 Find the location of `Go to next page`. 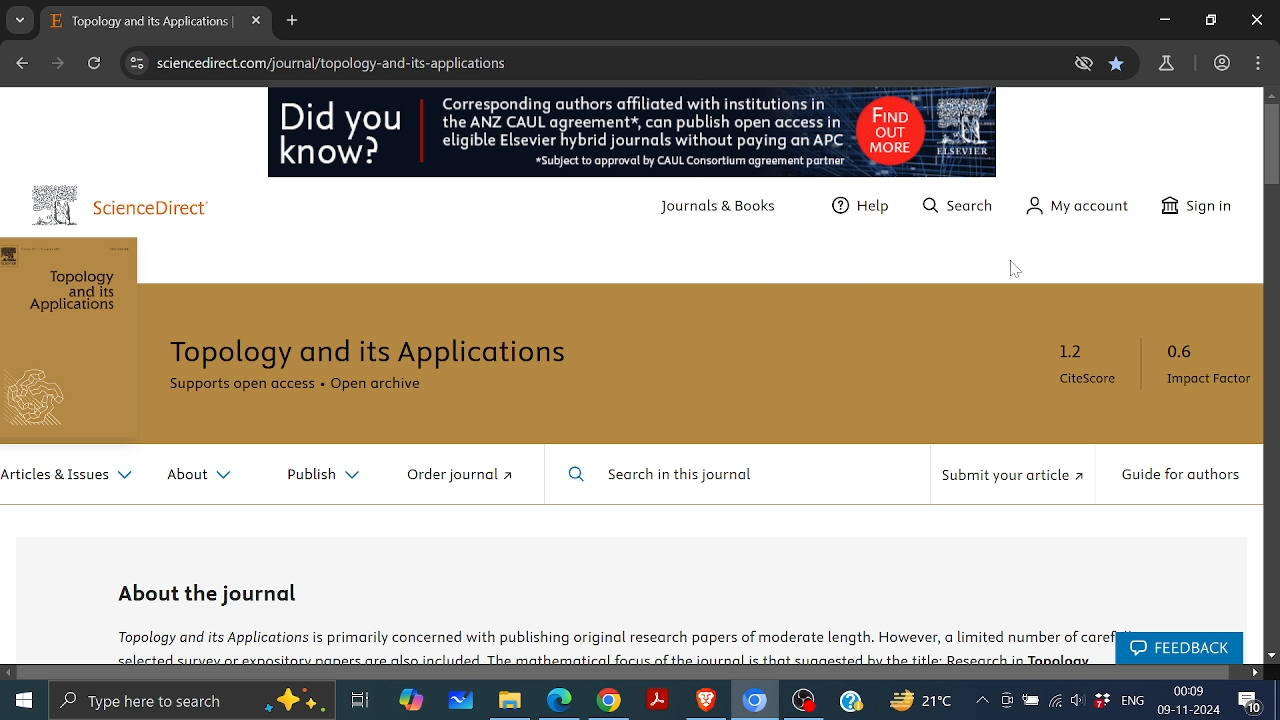

Go to next page is located at coordinates (60, 63).